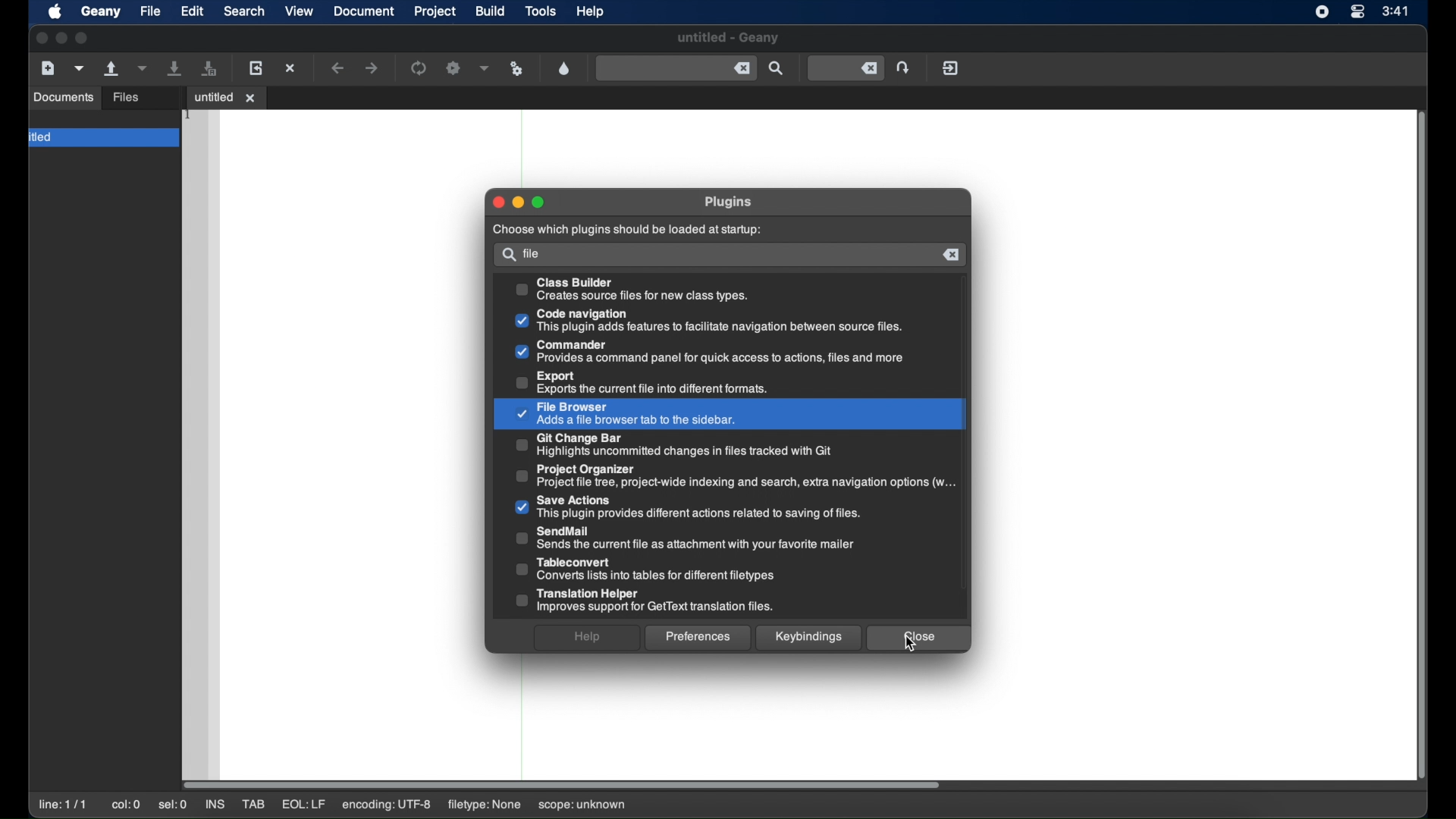 Image resolution: width=1456 pixels, height=819 pixels. Describe the element at coordinates (808, 638) in the screenshot. I see `` at that location.